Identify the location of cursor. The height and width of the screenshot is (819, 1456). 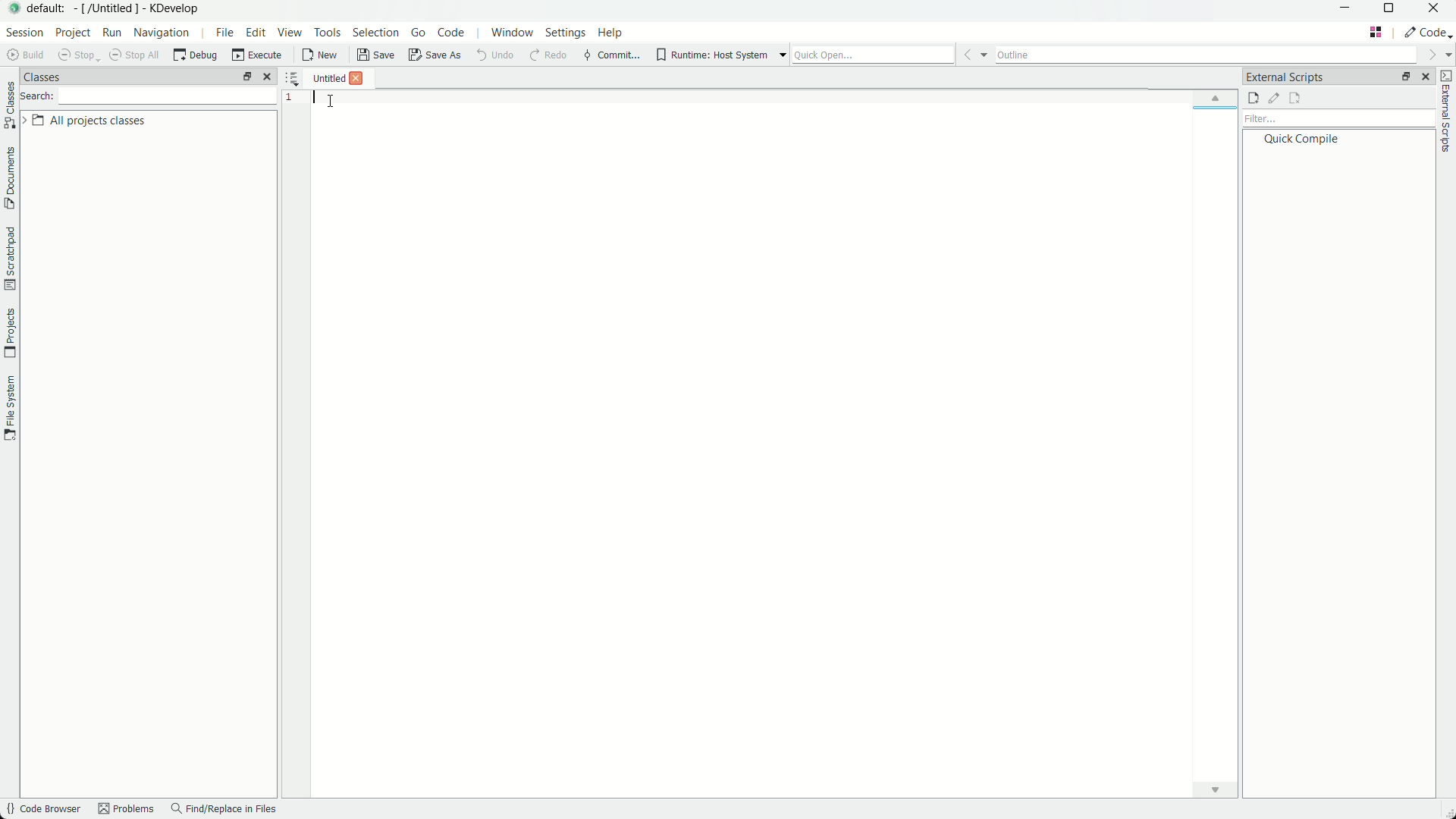
(299, 47).